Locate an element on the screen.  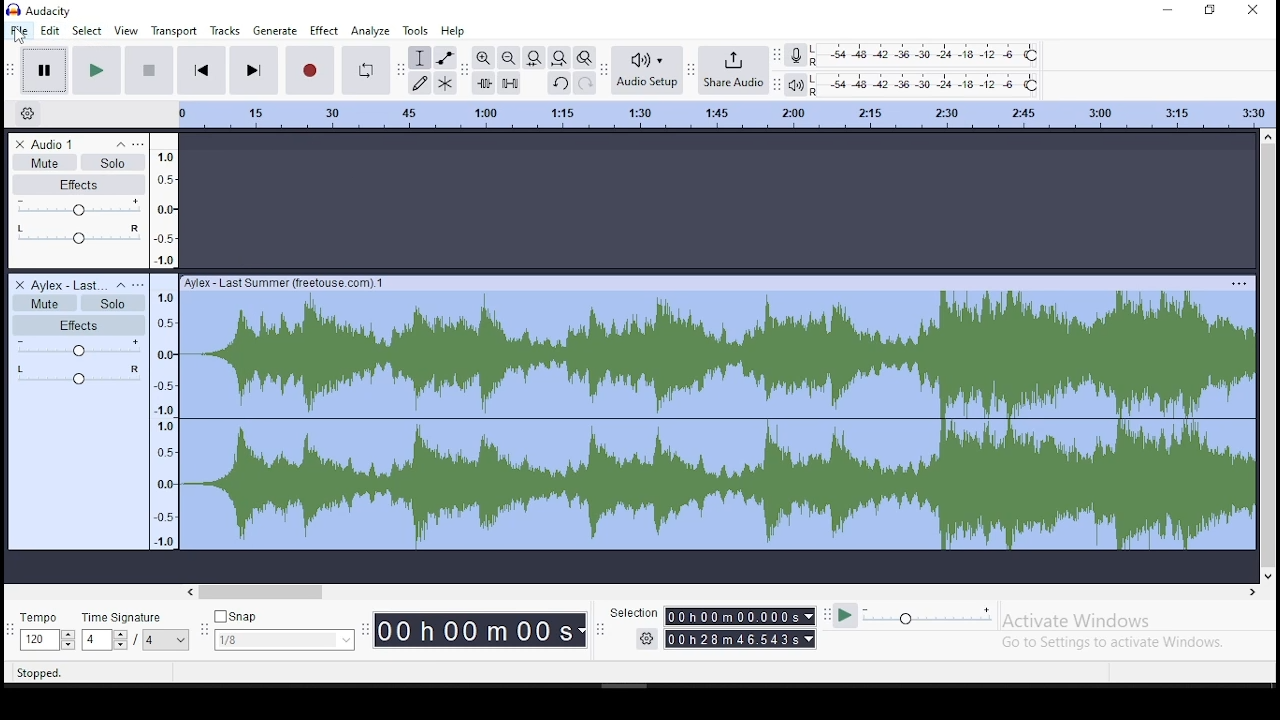
cursor is located at coordinates (19, 37).